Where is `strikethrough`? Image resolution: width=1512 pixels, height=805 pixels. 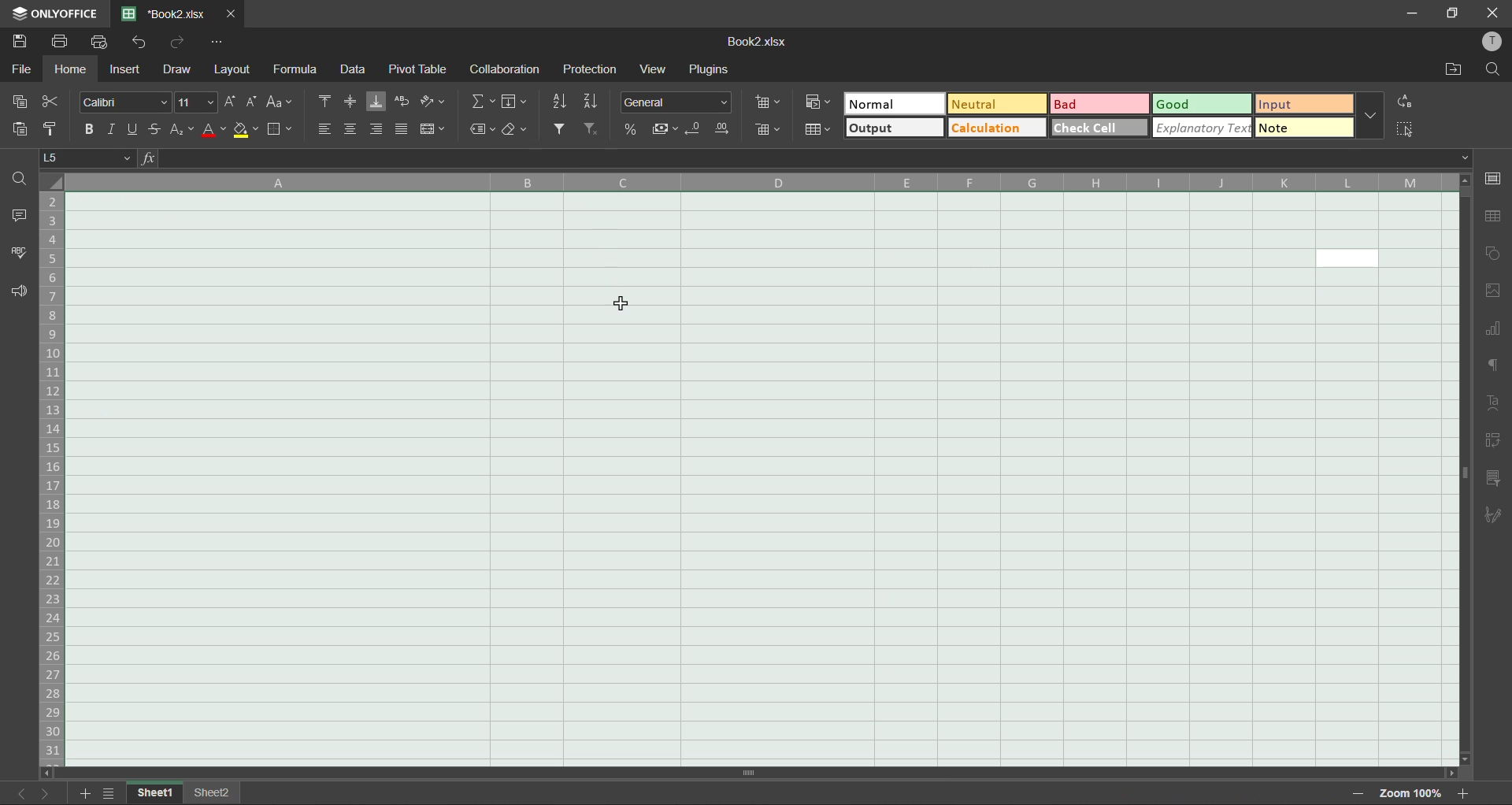 strikethrough is located at coordinates (160, 129).